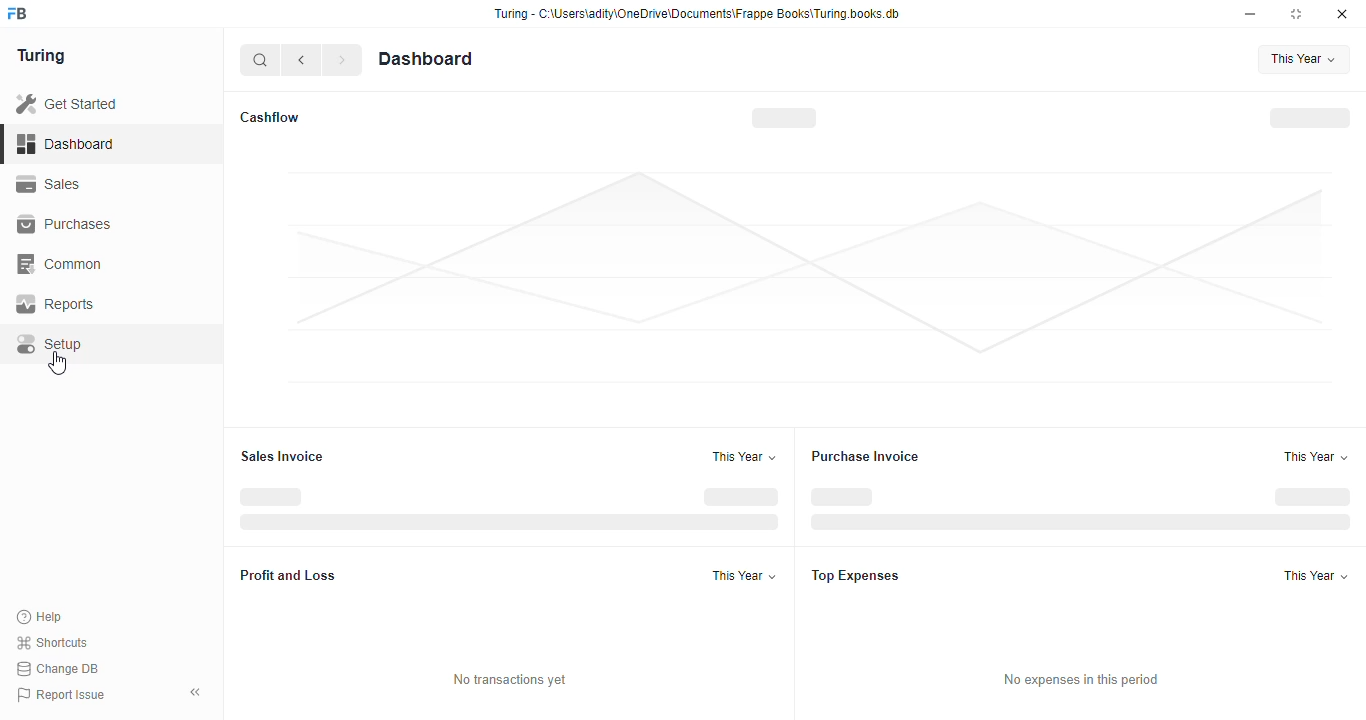 The image size is (1366, 720). What do you see at coordinates (108, 341) in the screenshot?
I see `Setup` at bounding box center [108, 341].